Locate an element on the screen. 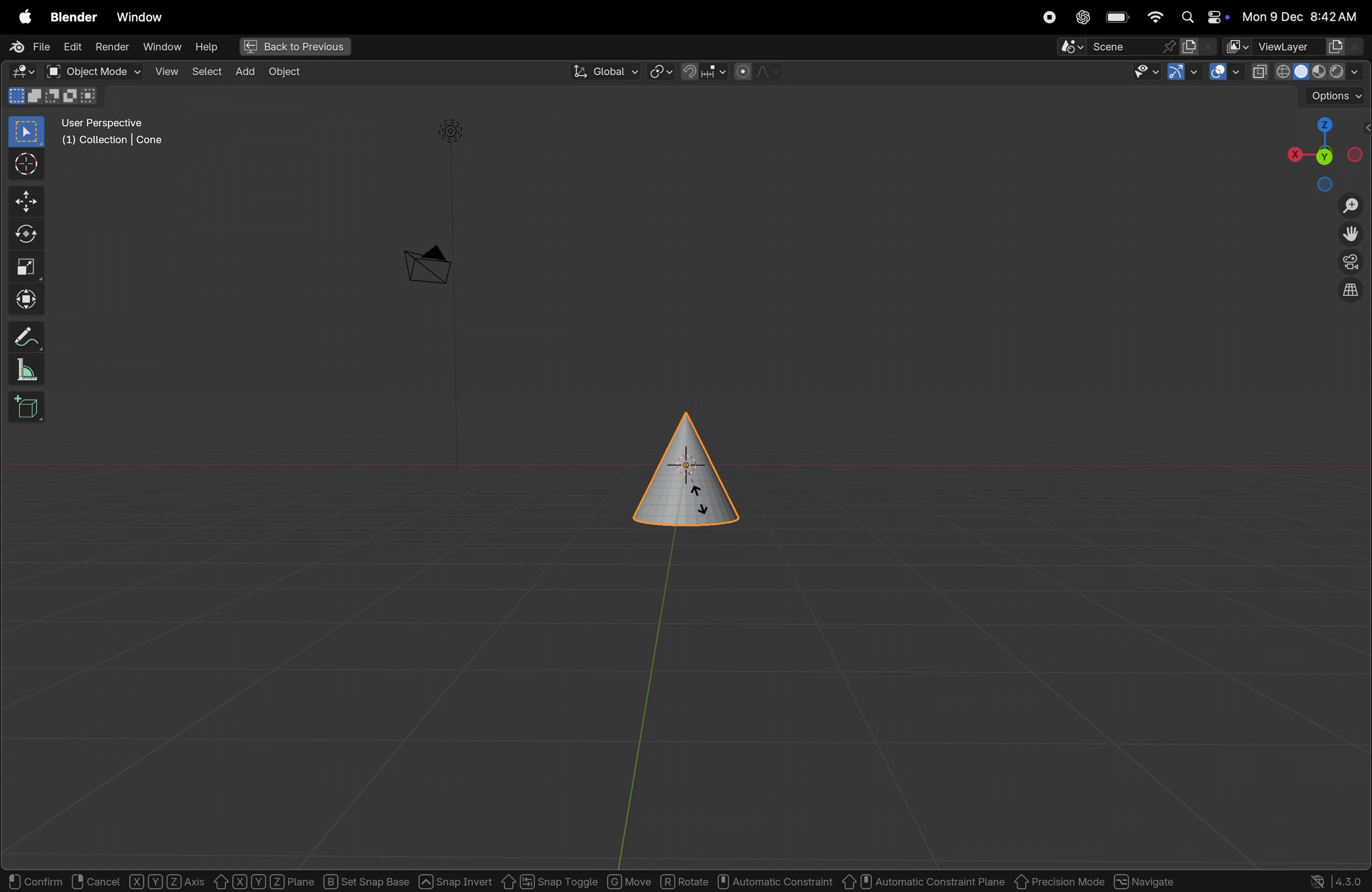  rotate is located at coordinates (688, 882).